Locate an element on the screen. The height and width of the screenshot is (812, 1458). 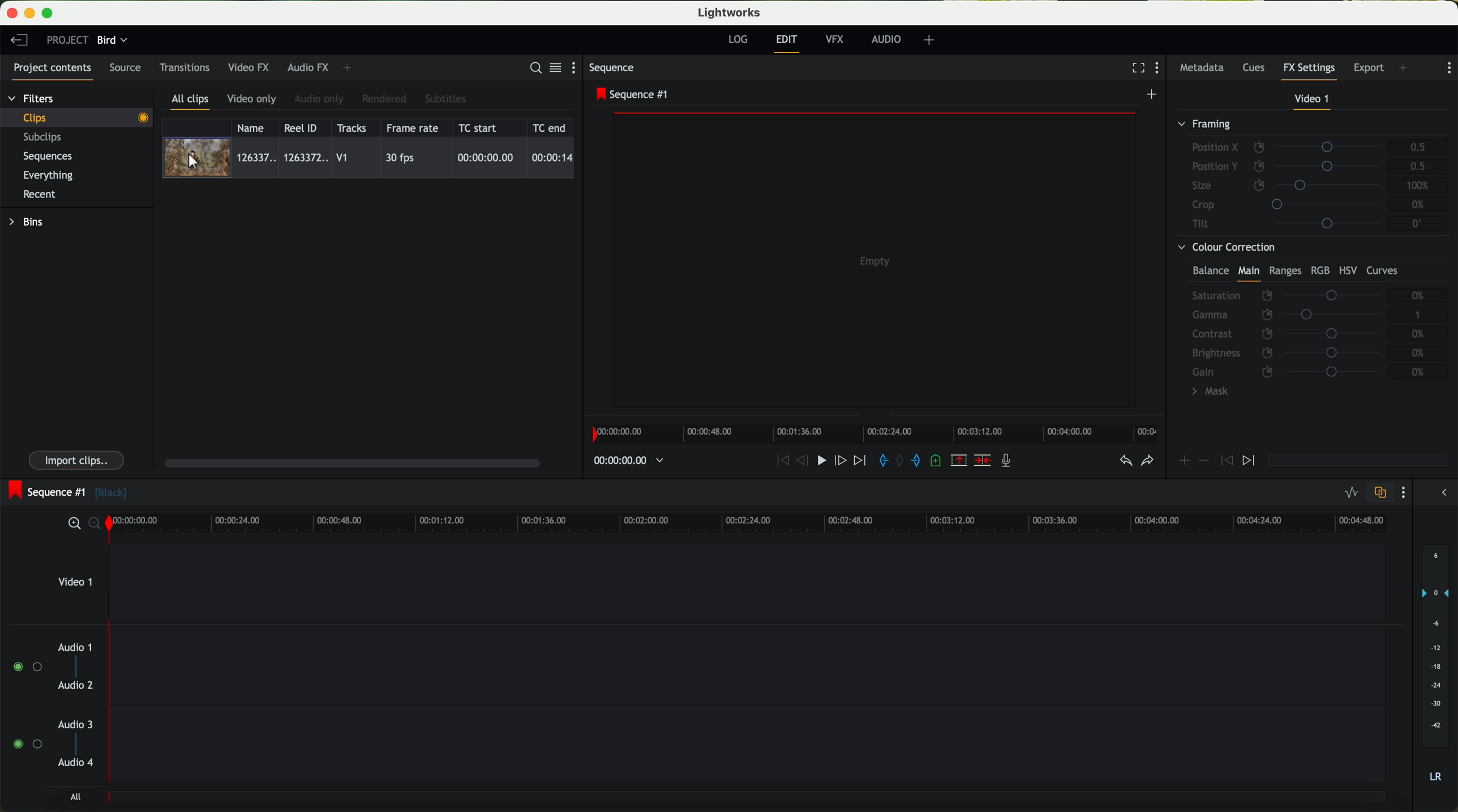
ranges is located at coordinates (1285, 270).